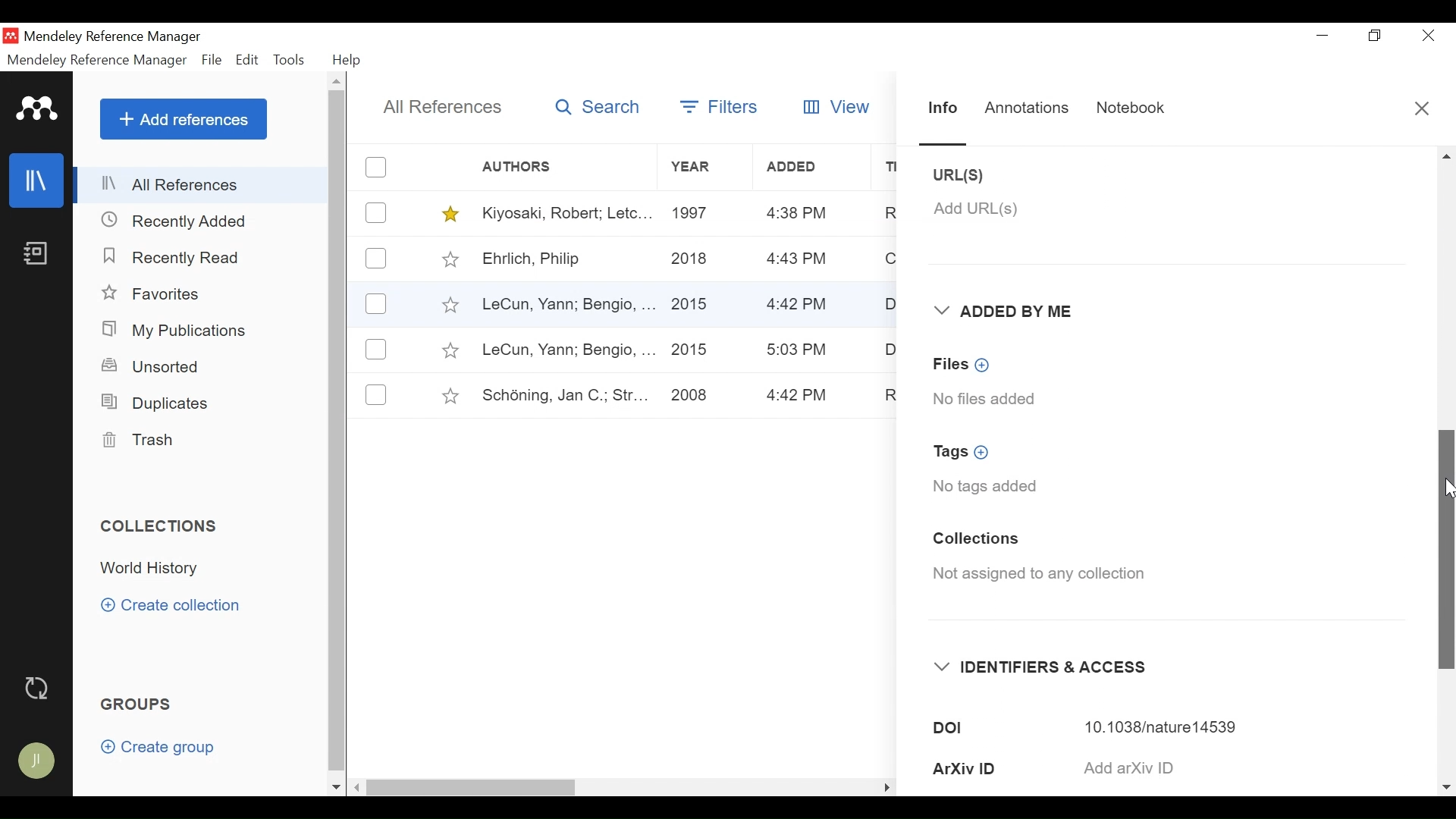  I want to click on ArXiv ID, so click(1172, 767).